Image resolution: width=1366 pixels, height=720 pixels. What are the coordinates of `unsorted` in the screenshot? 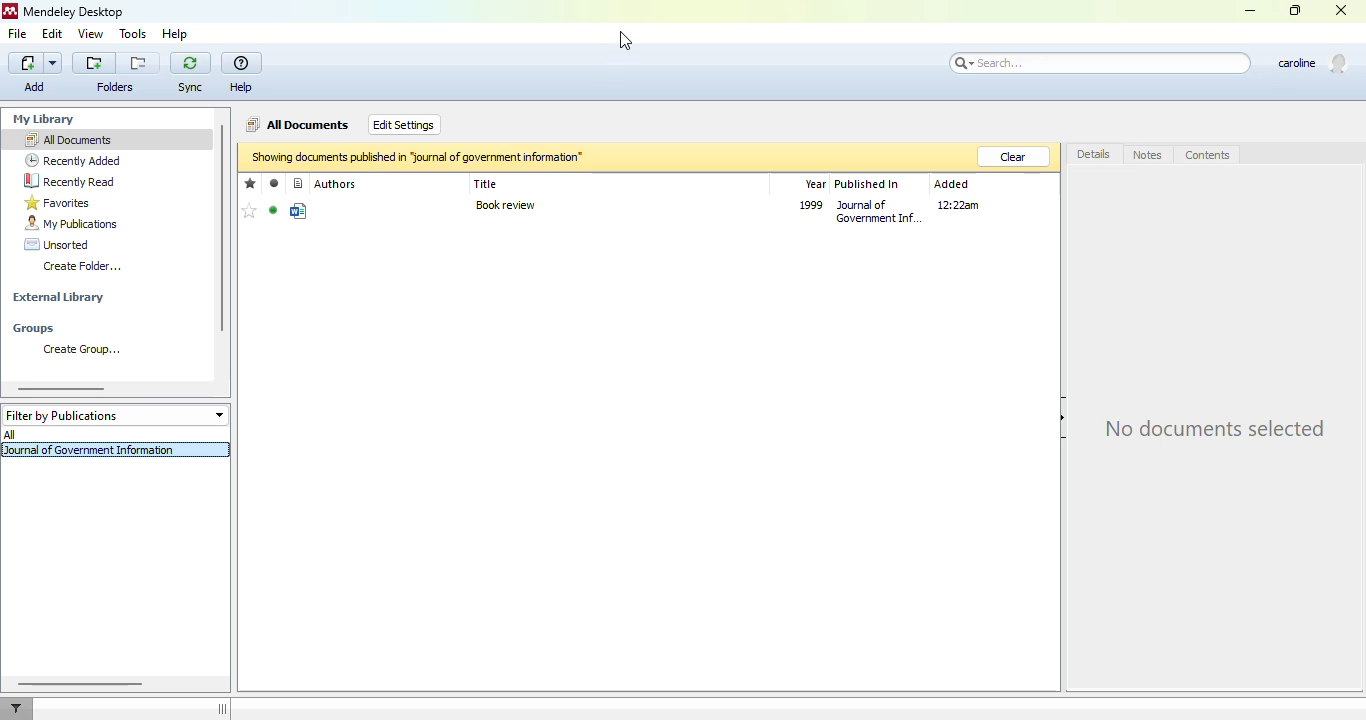 It's located at (57, 244).